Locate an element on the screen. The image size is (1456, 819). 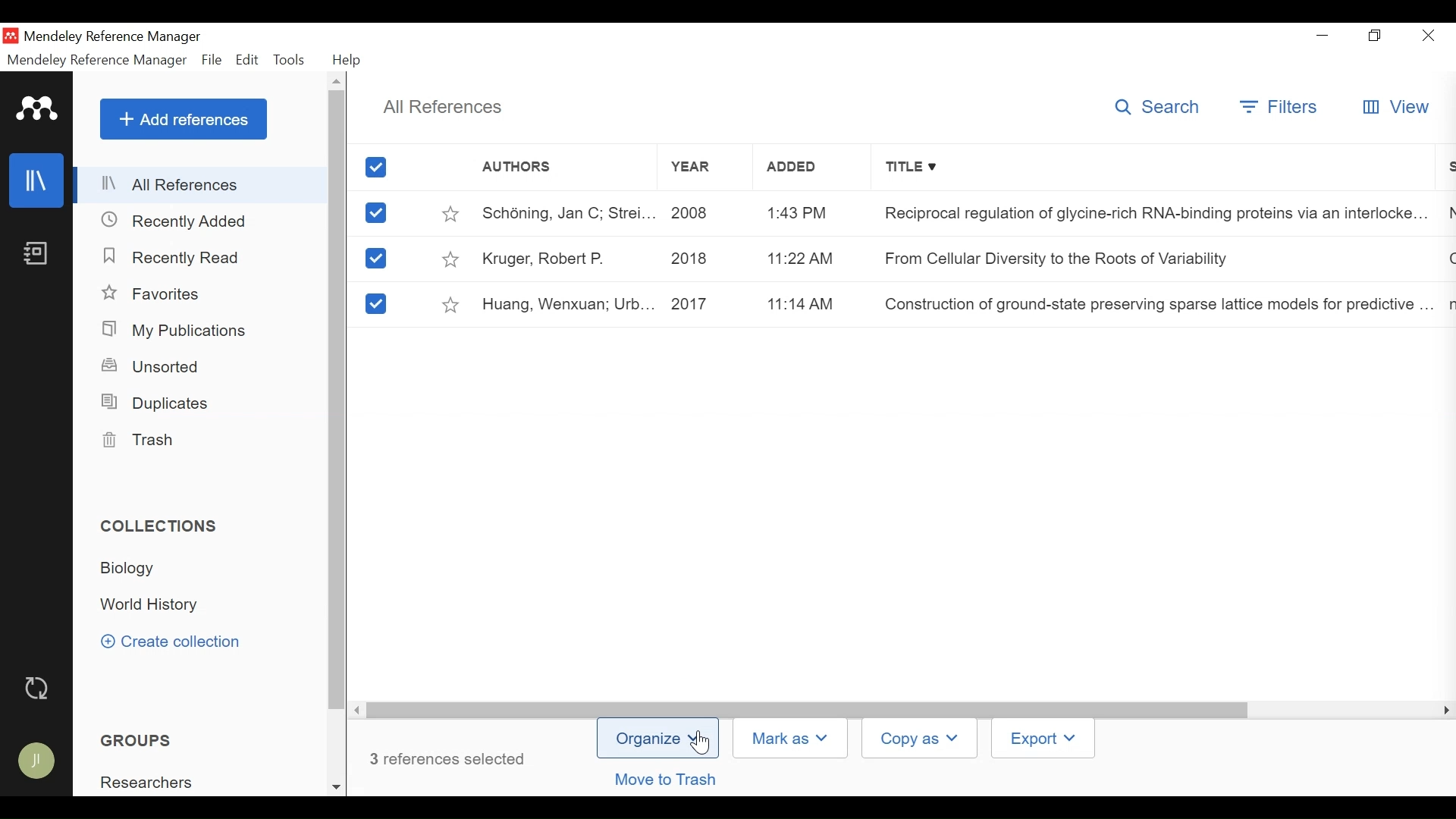
Toggle Favorites is located at coordinates (450, 303).